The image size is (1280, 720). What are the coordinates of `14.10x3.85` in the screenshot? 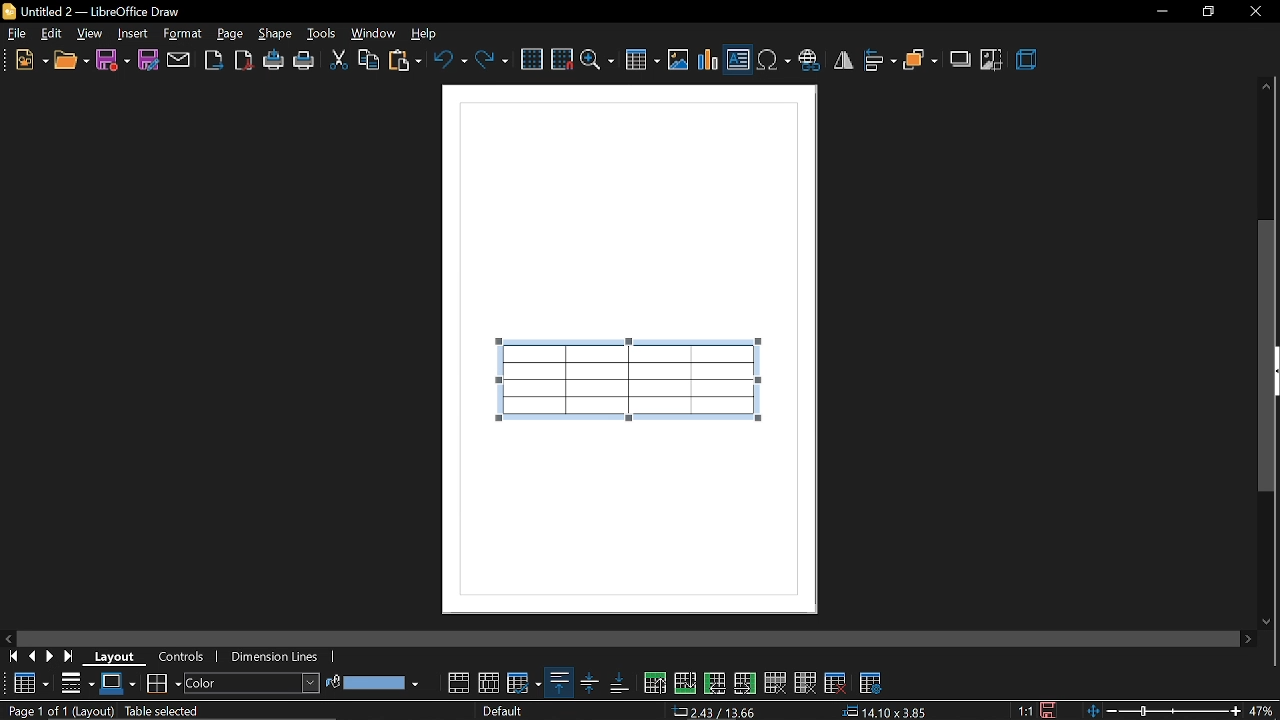 It's located at (886, 713).